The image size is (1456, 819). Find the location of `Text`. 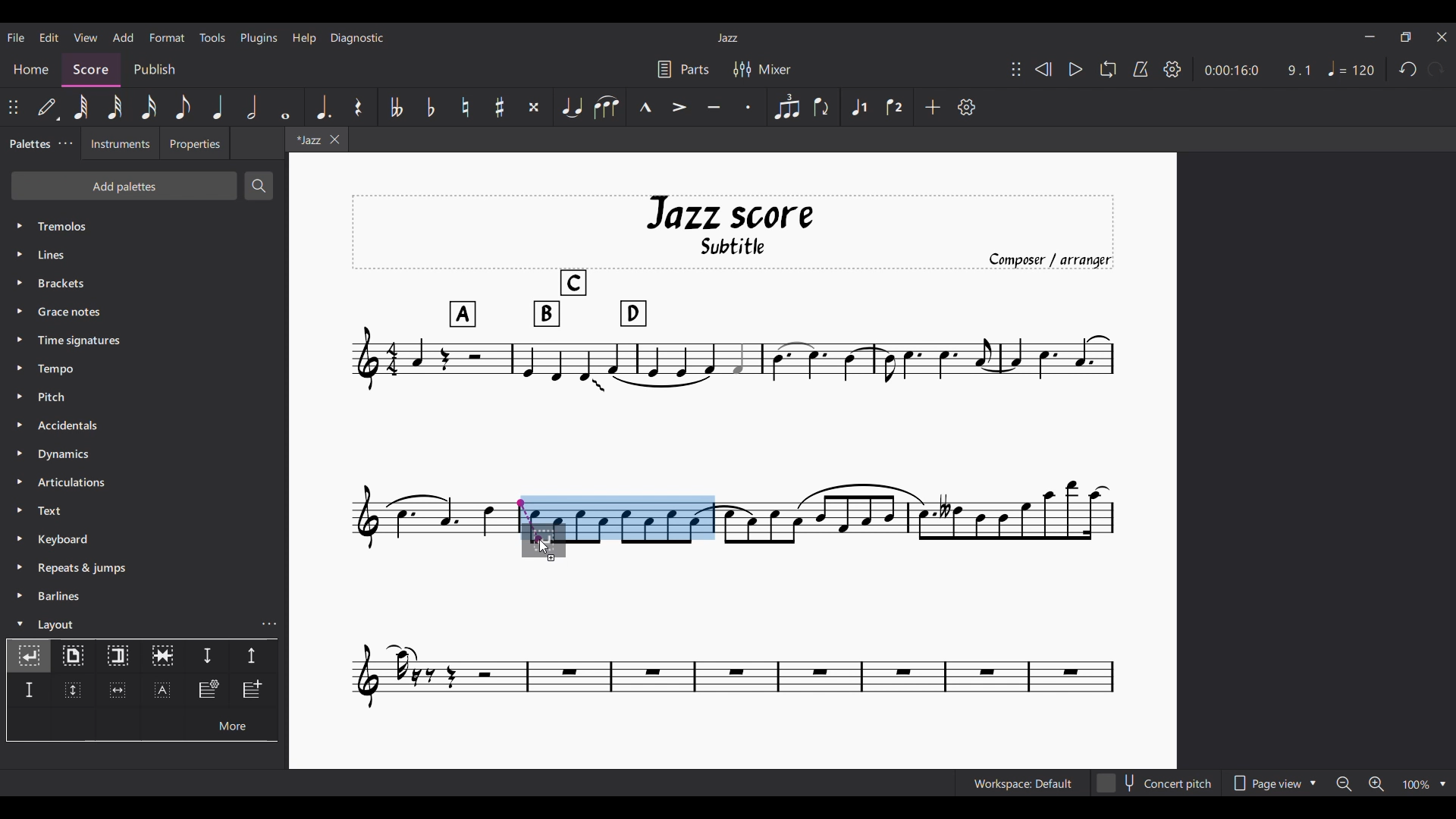

Text is located at coordinates (144, 510).